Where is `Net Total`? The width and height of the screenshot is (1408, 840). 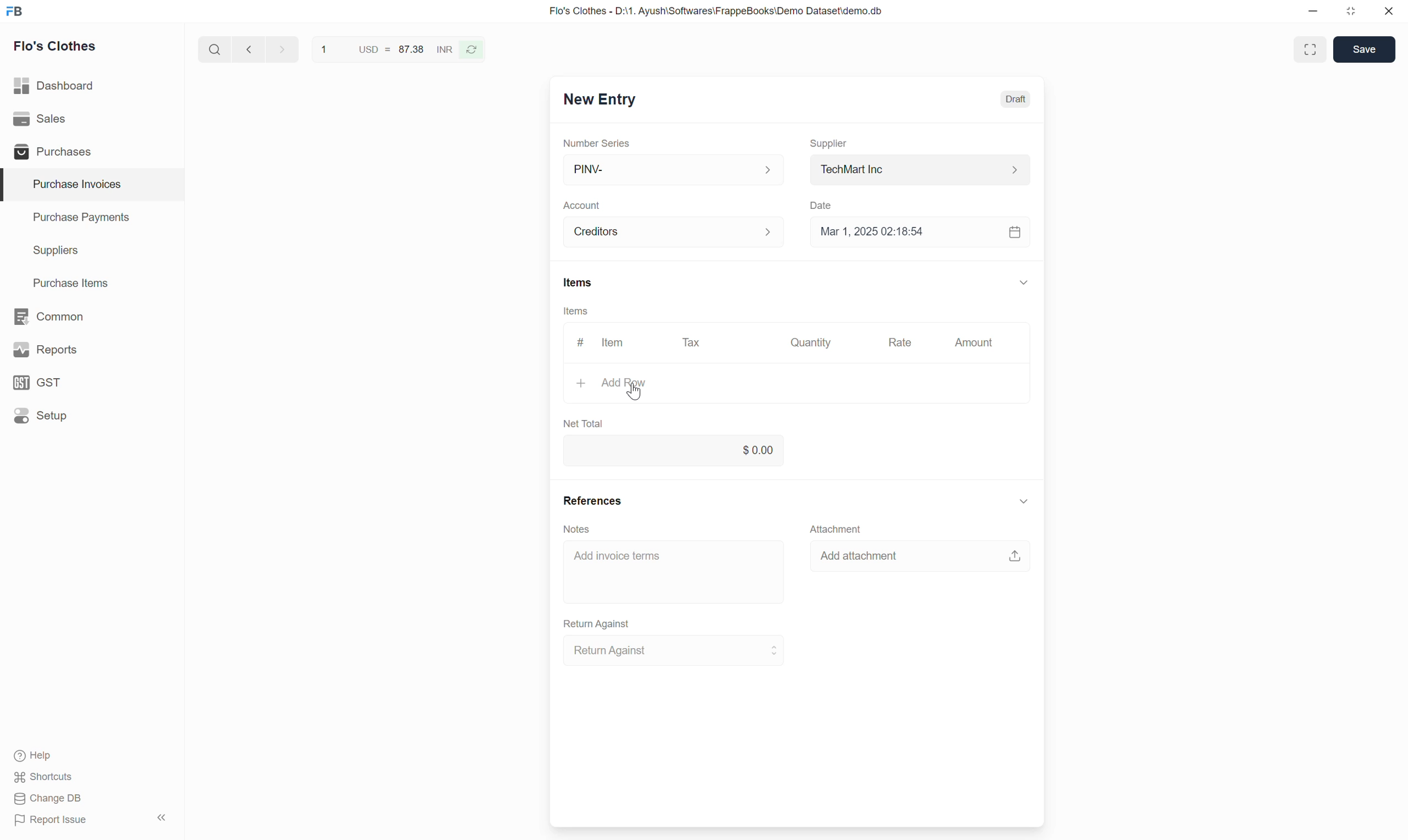 Net Total is located at coordinates (584, 424).